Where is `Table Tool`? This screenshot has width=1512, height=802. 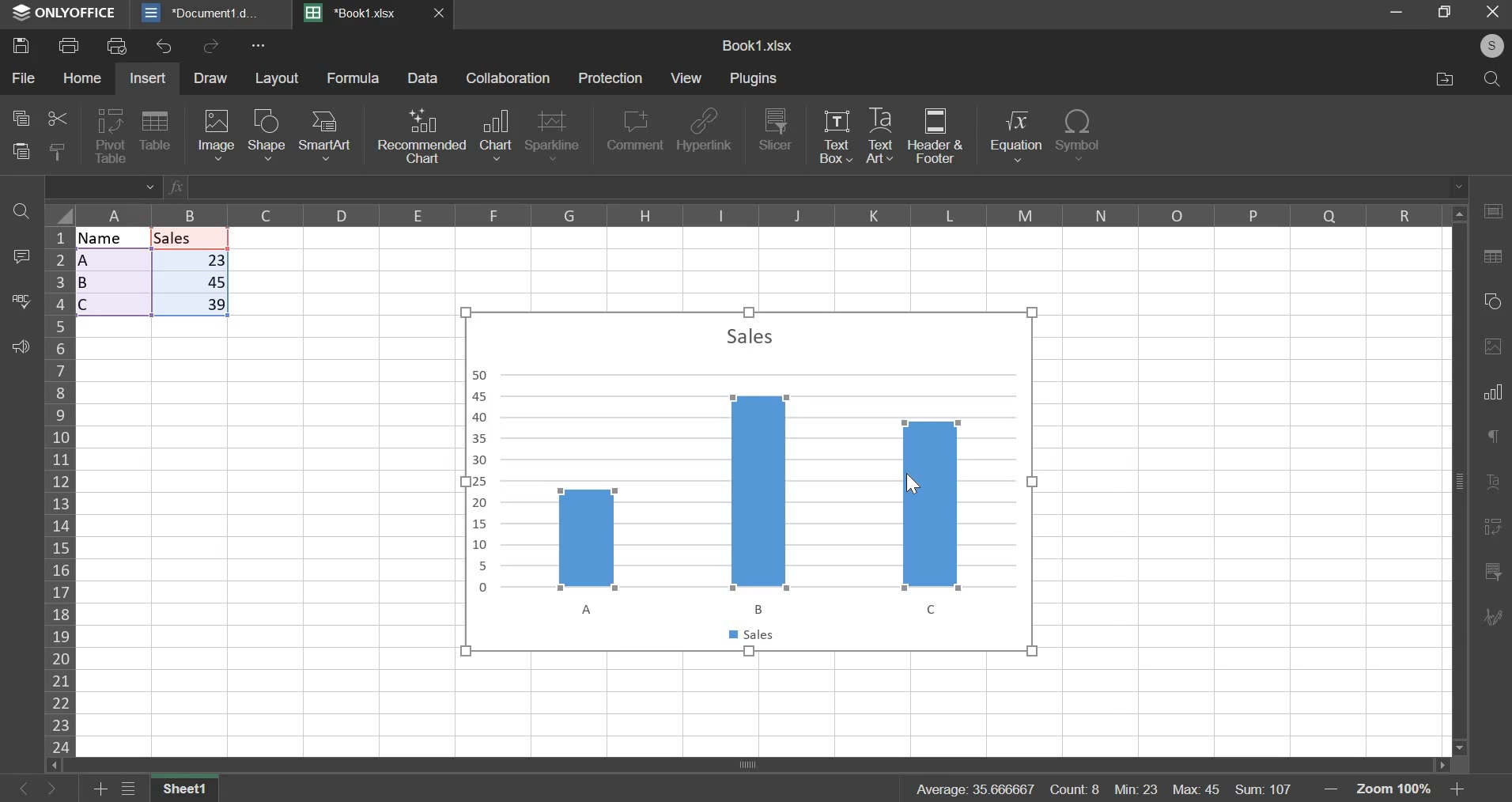
Table Tool is located at coordinates (1492, 210).